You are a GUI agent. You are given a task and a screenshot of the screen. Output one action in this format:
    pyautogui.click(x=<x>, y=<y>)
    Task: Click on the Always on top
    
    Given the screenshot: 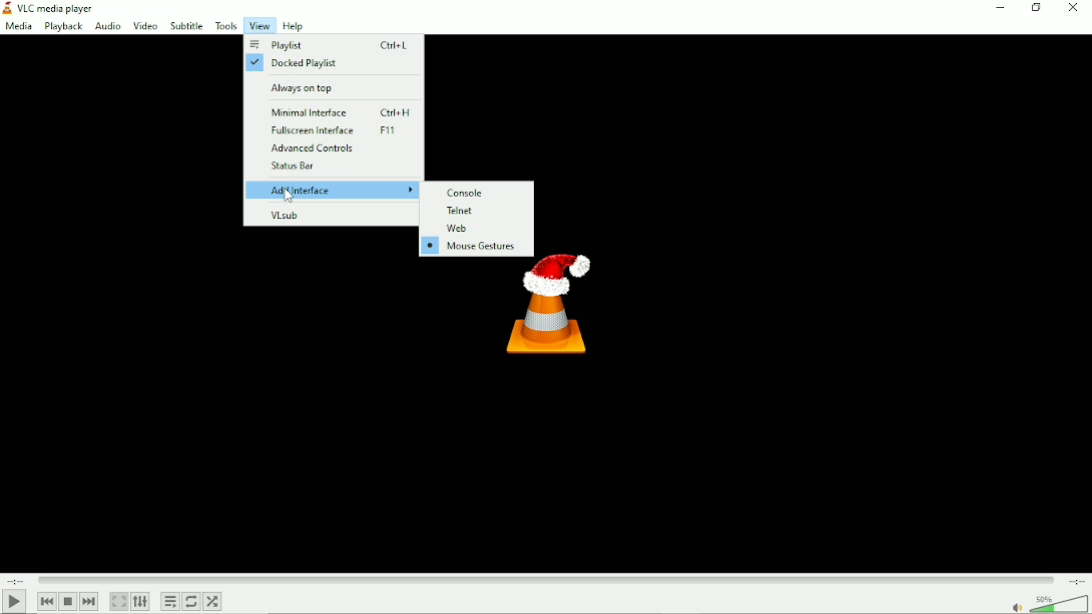 What is the action you would take?
    pyautogui.click(x=332, y=86)
    